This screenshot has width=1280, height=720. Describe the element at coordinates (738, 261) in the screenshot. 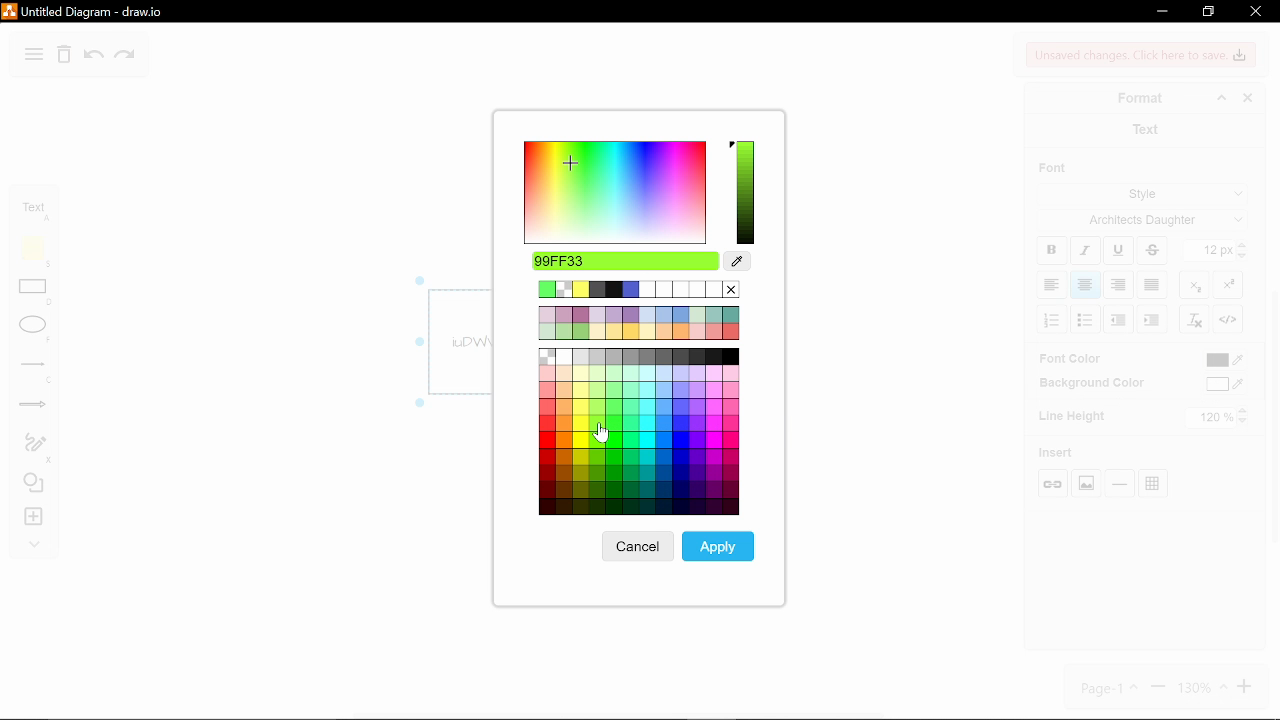

I see `color picker` at that location.